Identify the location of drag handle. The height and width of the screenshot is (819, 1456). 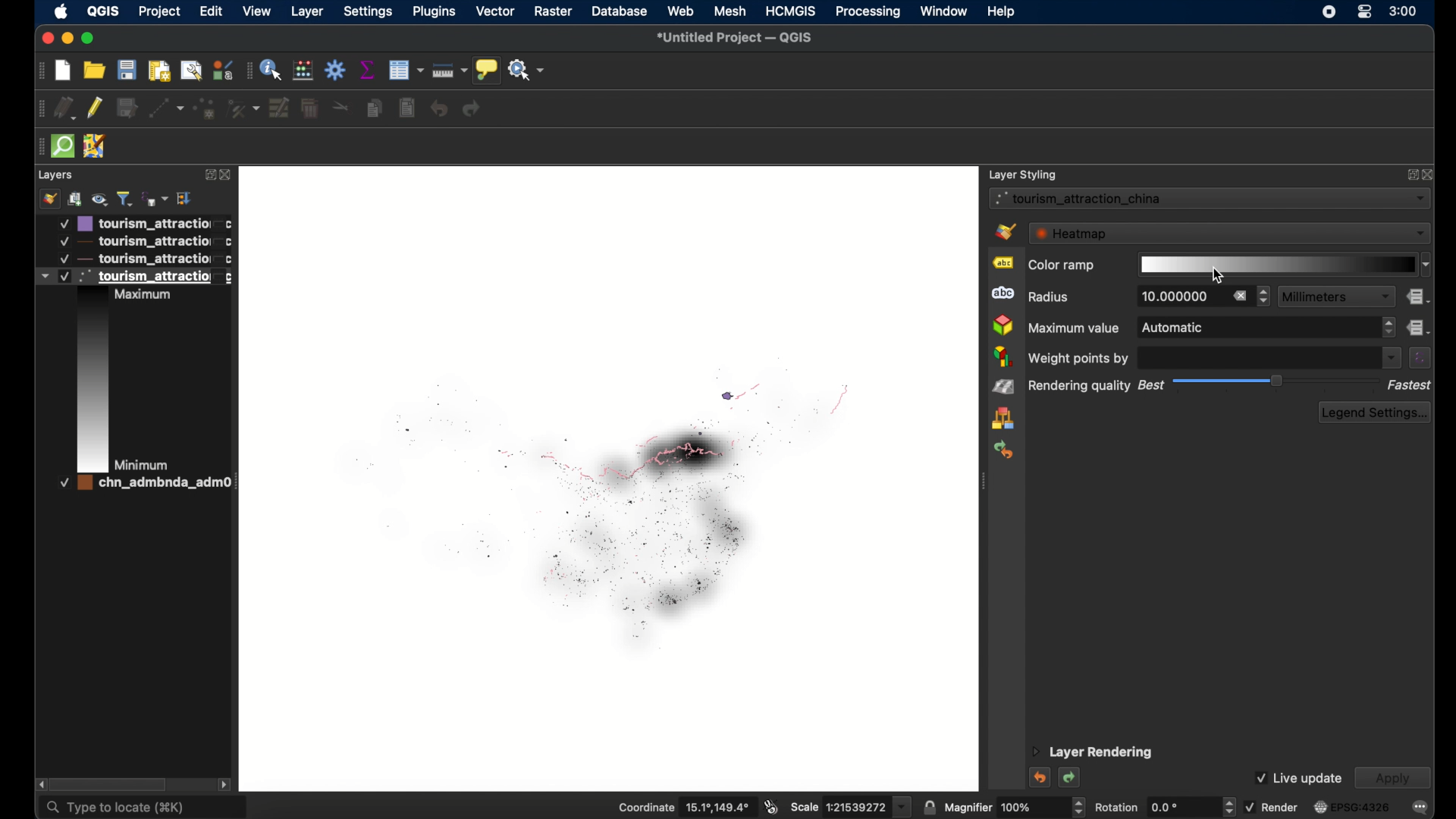
(39, 109).